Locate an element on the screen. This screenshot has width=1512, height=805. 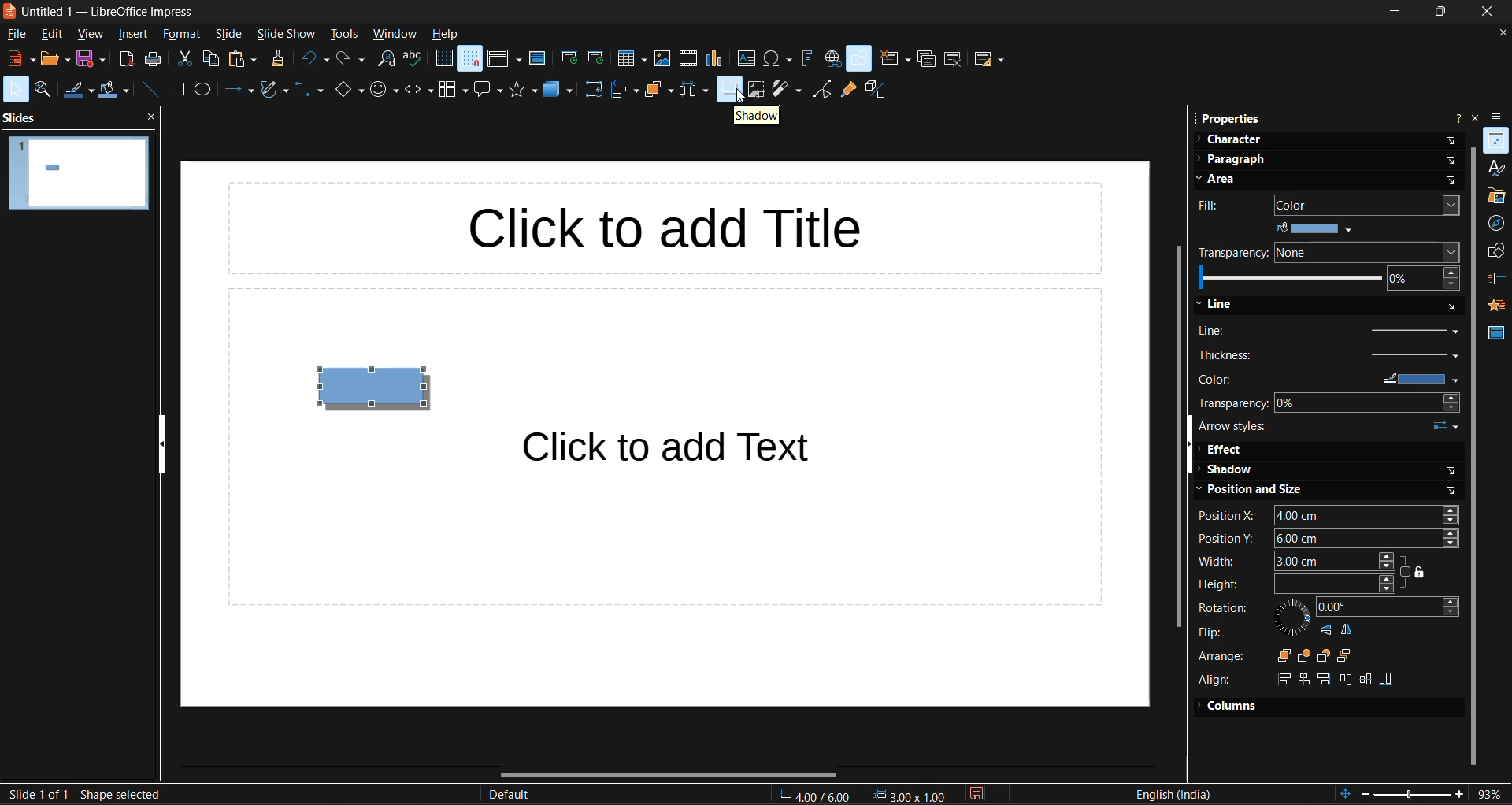
new slide is located at coordinates (896, 57).